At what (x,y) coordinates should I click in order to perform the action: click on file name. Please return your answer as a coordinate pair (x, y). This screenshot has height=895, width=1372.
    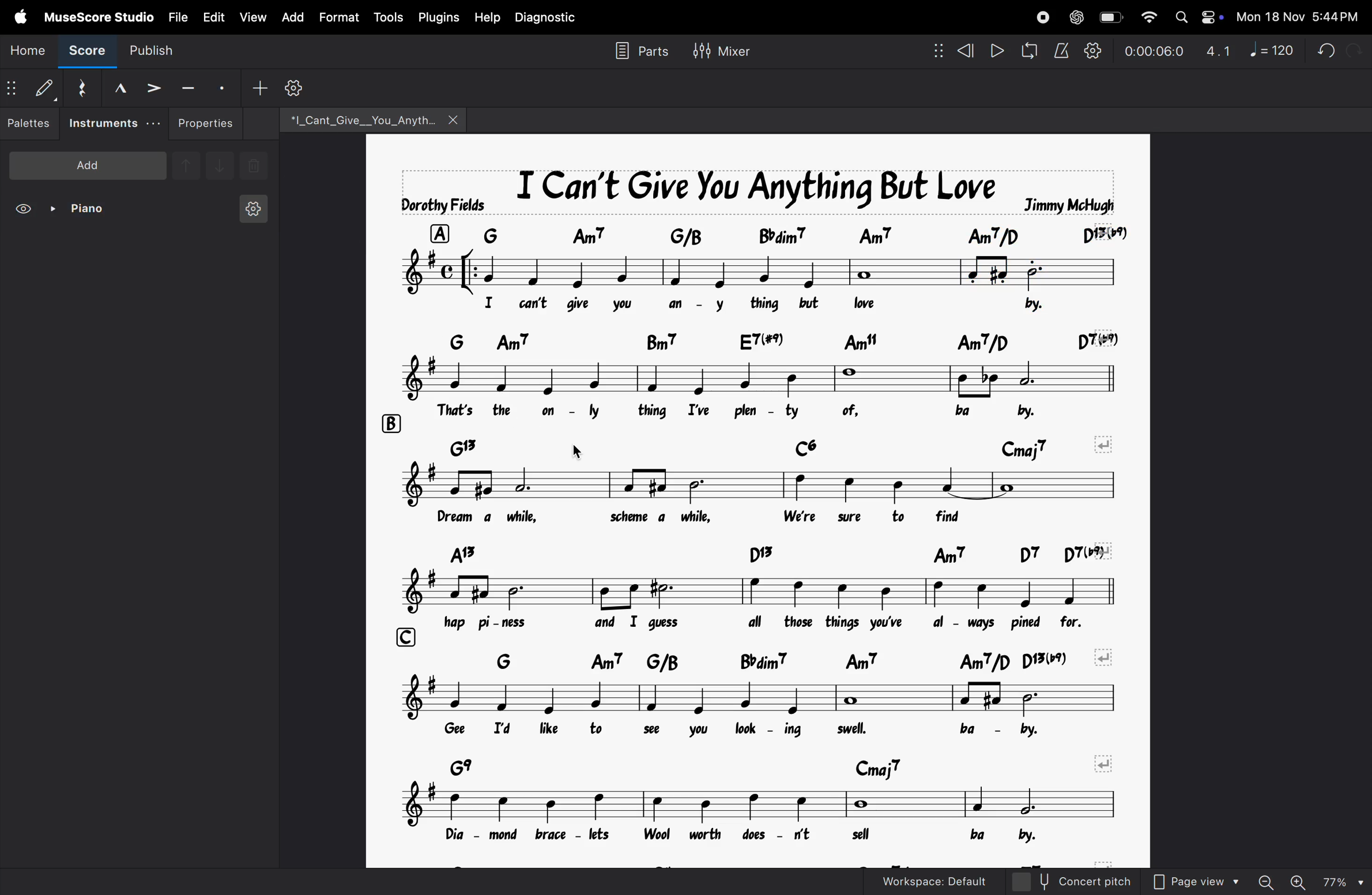
    Looking at the image, I should click on (372, 122).